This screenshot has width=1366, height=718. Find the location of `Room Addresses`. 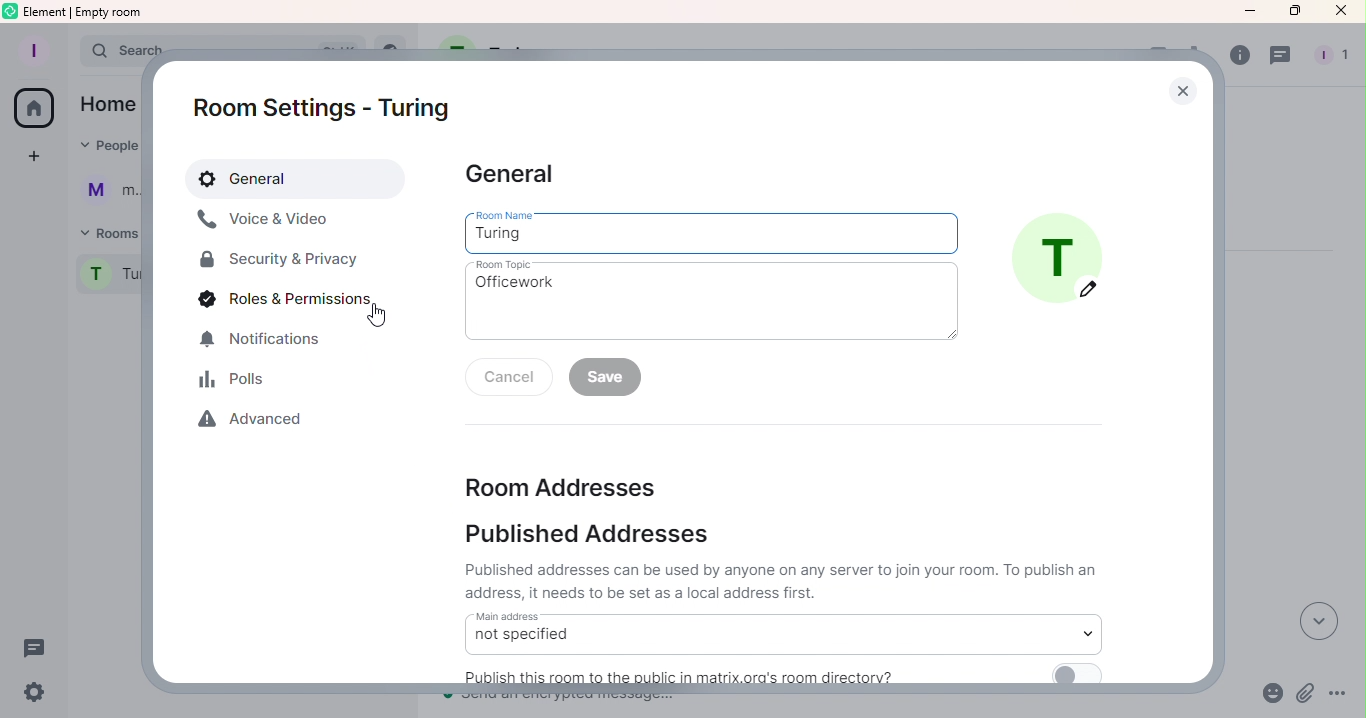

Room Addresses is located at coordinates (635, 483).